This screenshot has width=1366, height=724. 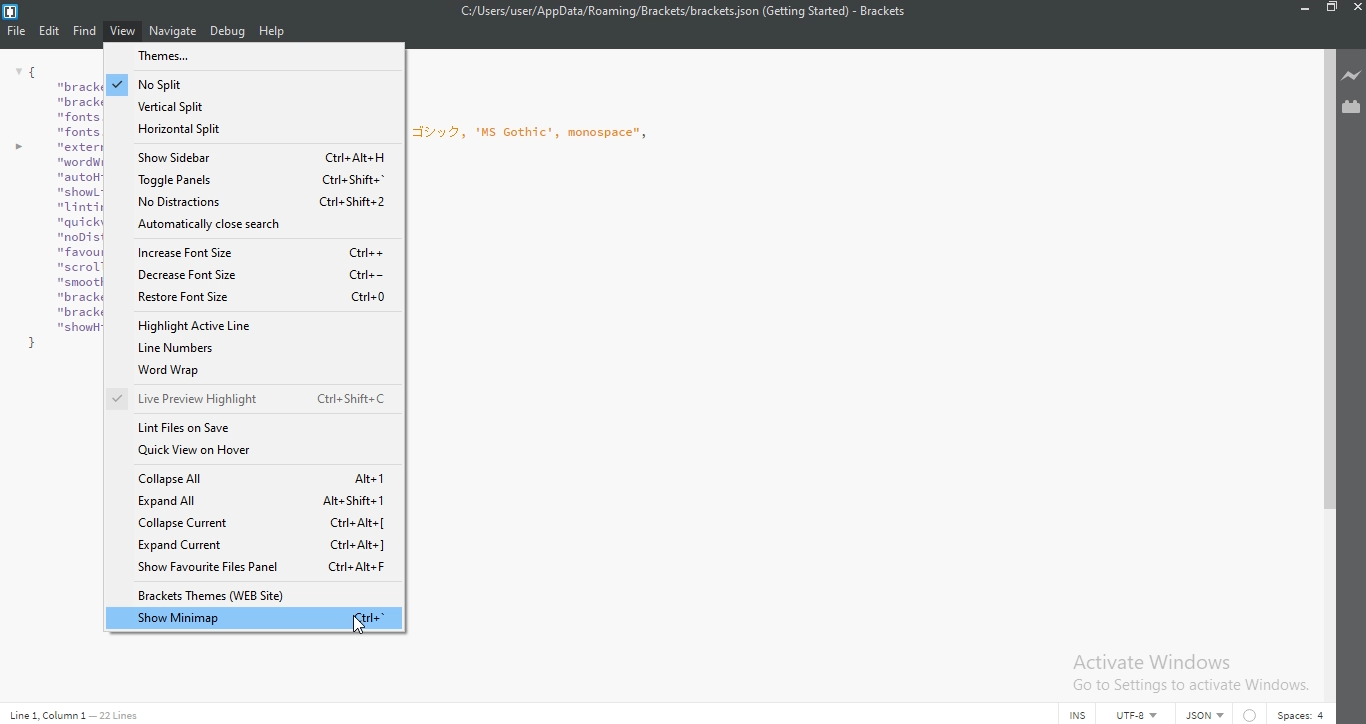 What do you see at coordinates (78, 714) in the screenshot?
I see `Line code data` at bounding box center [78, 714].